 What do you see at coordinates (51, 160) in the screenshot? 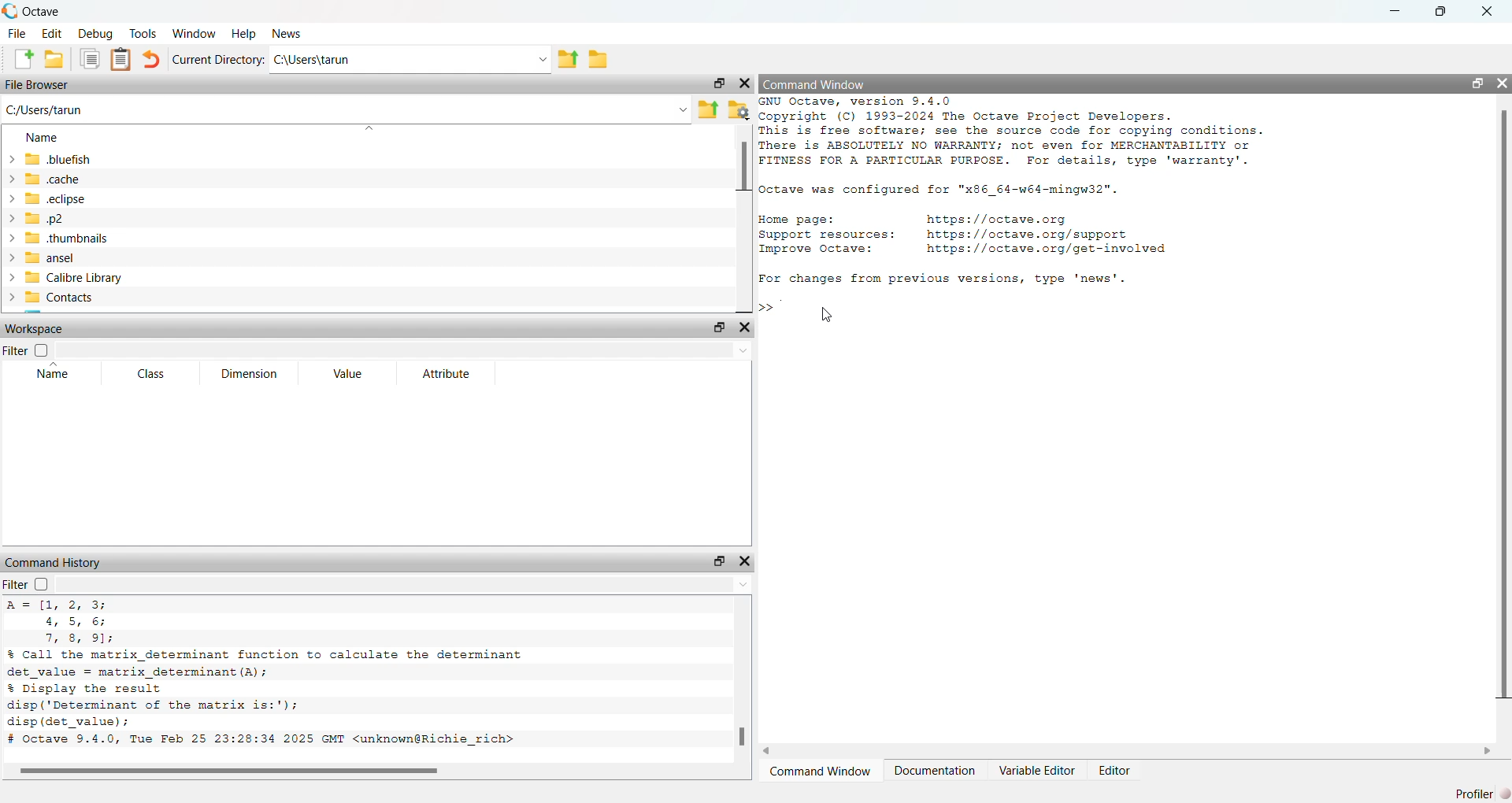
I see `bluefish` at bounding box center [51, 160].